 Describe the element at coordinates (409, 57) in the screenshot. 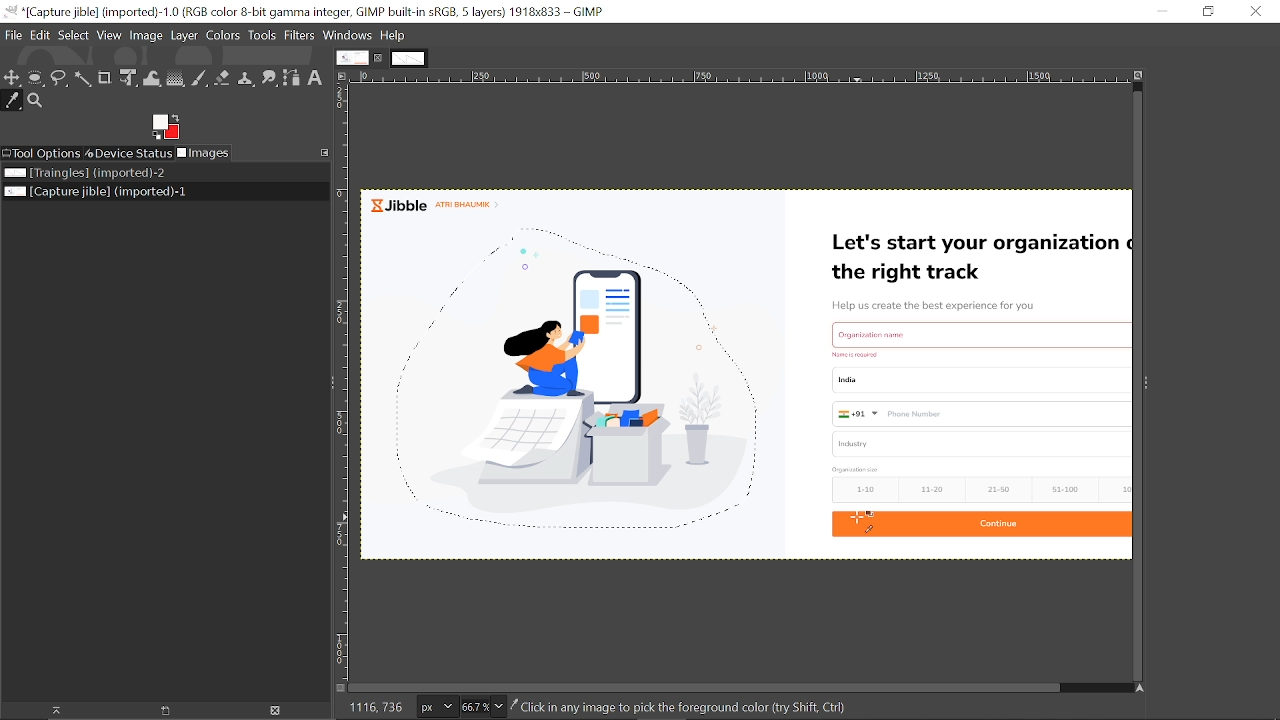

I see `Other tab` at that location.